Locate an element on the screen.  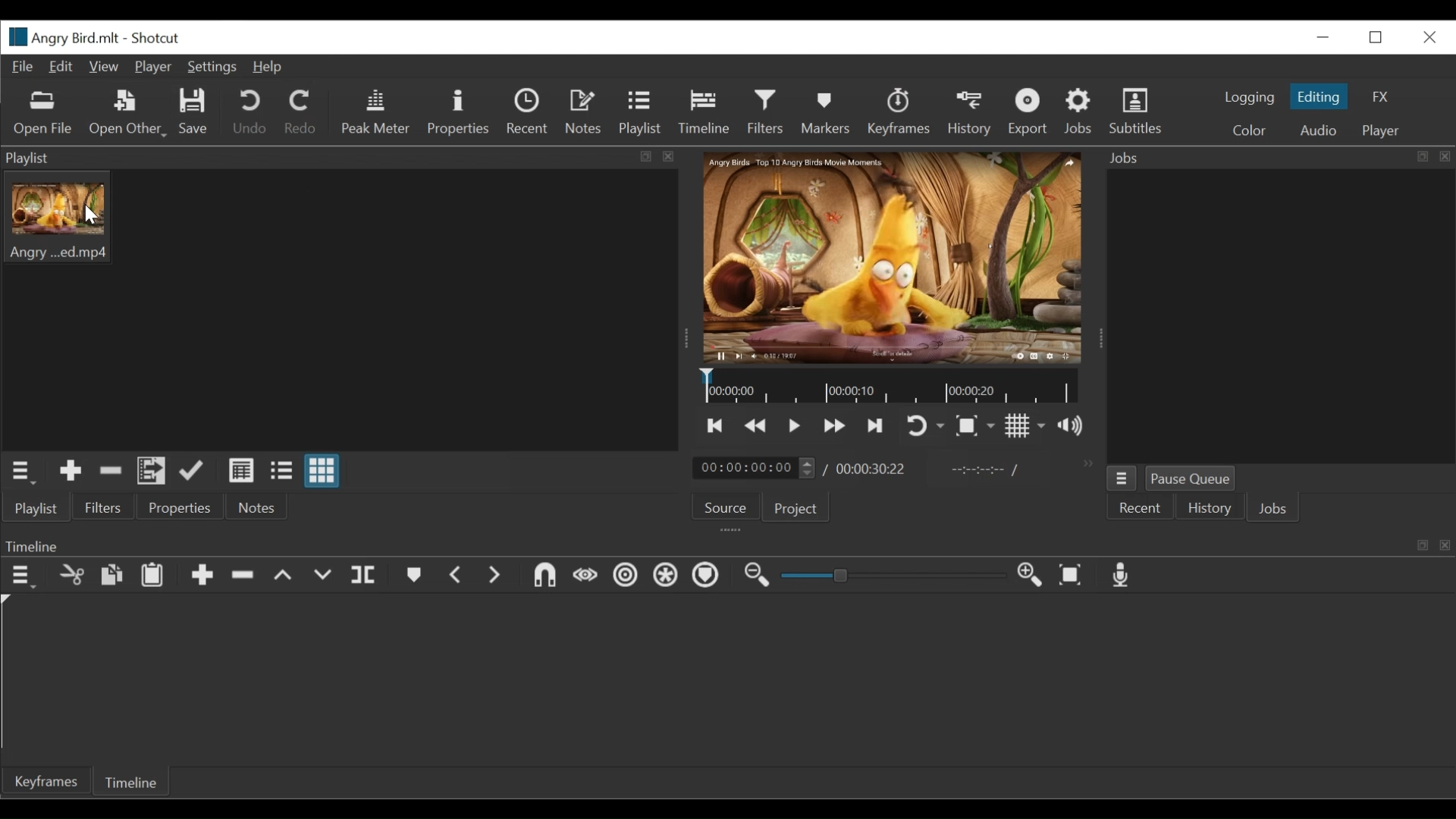
Undo is located at coordinates (253, 112).